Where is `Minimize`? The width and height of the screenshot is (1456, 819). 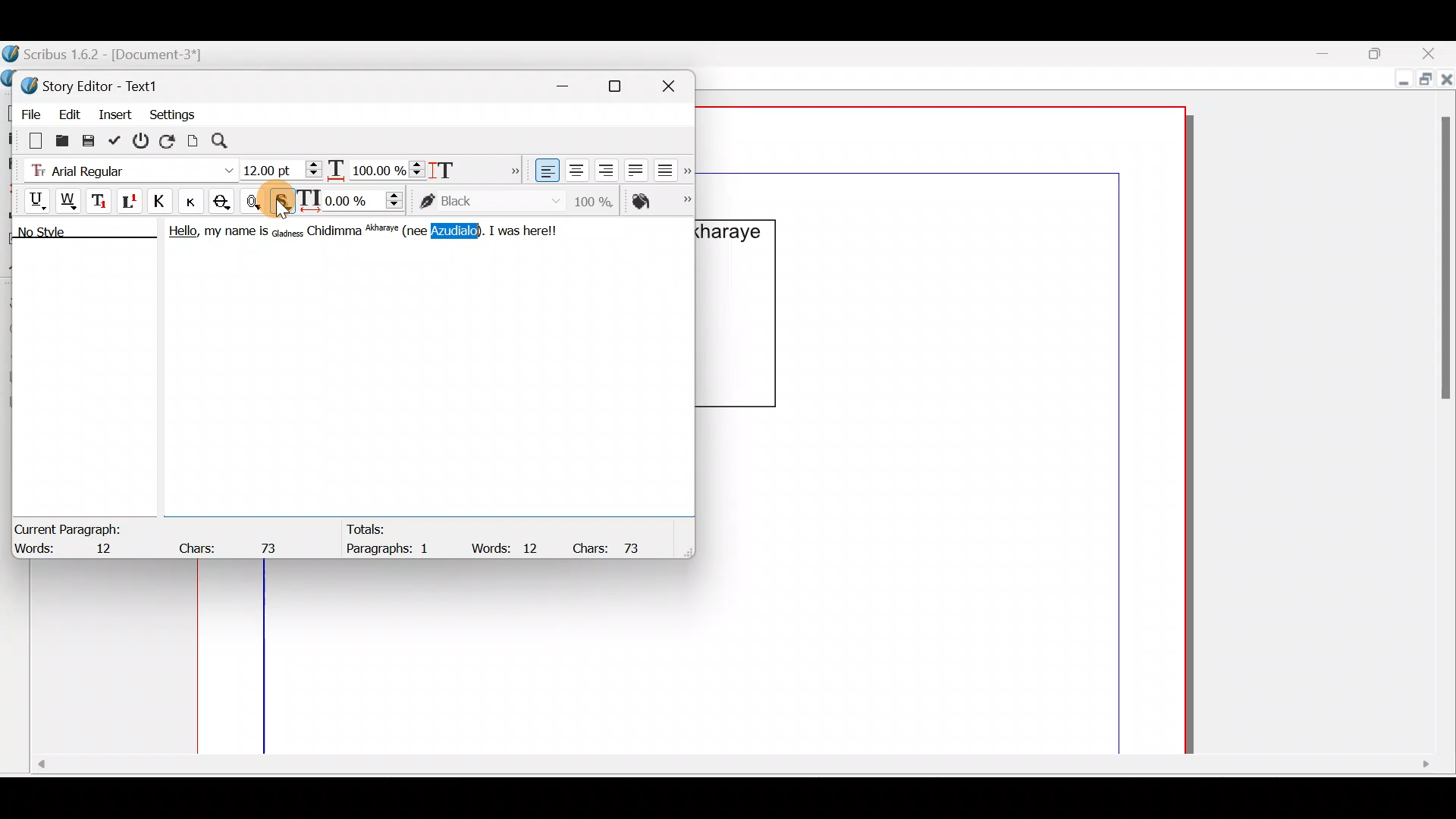
Minimize is located at coordinates (1334, 54).